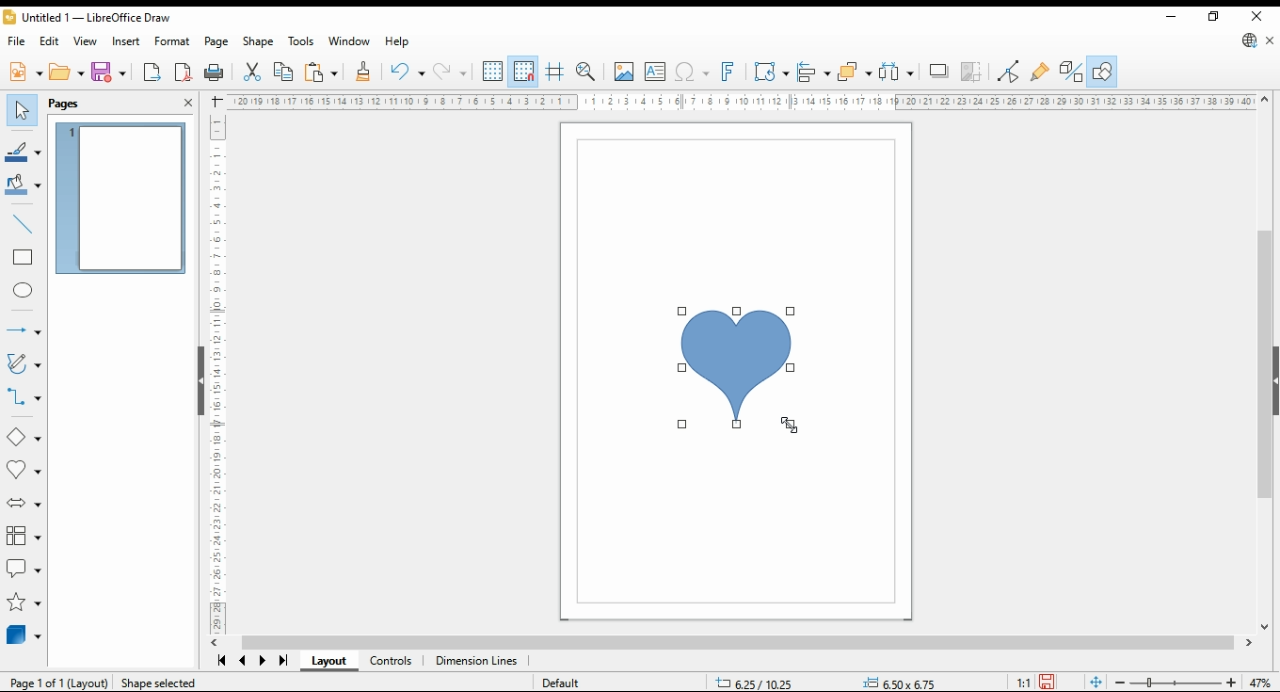 This screenshot has width=1280, height=692. Describe the element at coordinates (243, 663) in the screenshot. I see `previous page` at that location.